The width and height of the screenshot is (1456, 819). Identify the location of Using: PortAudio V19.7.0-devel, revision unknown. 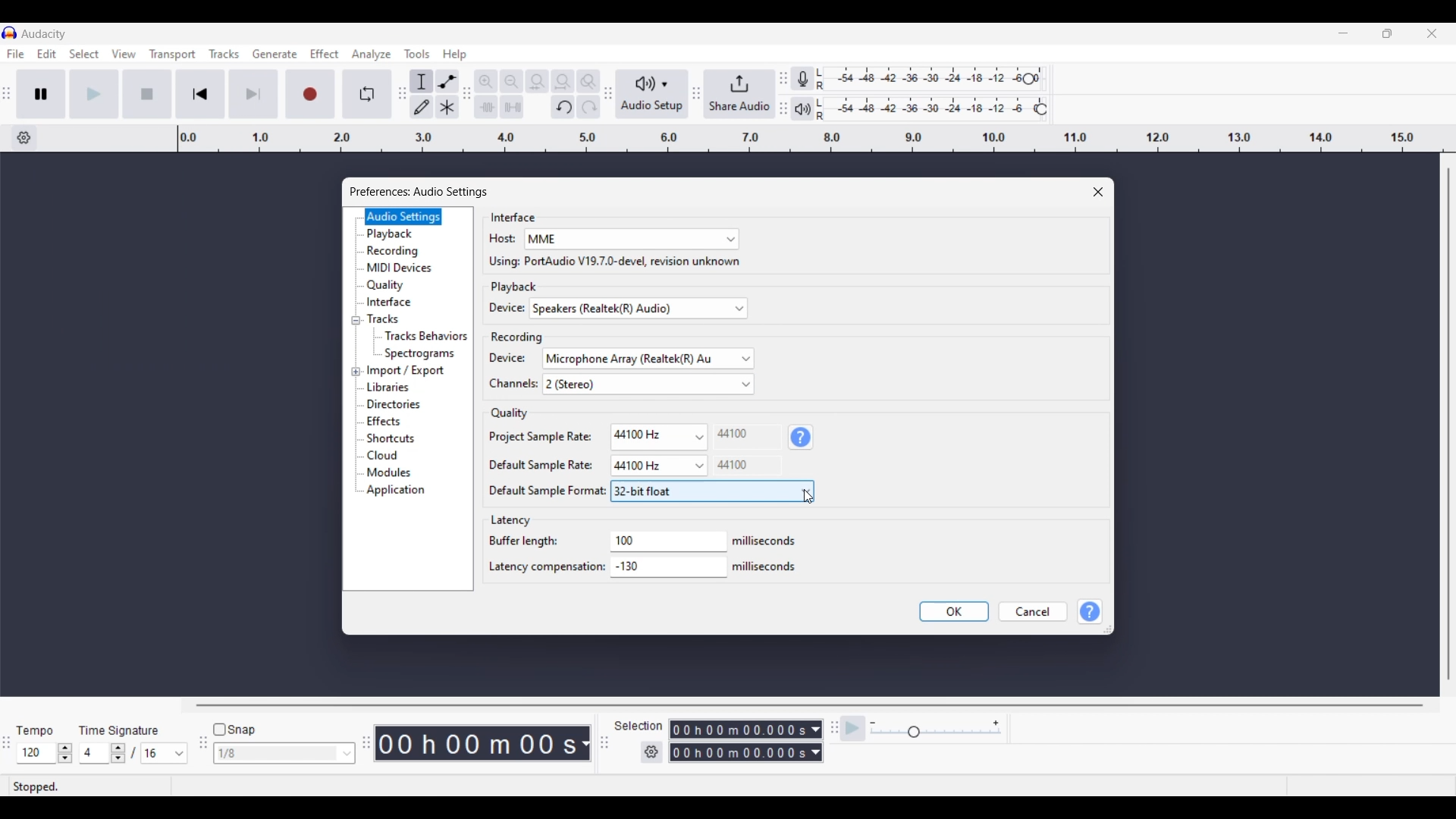
(609, 262).